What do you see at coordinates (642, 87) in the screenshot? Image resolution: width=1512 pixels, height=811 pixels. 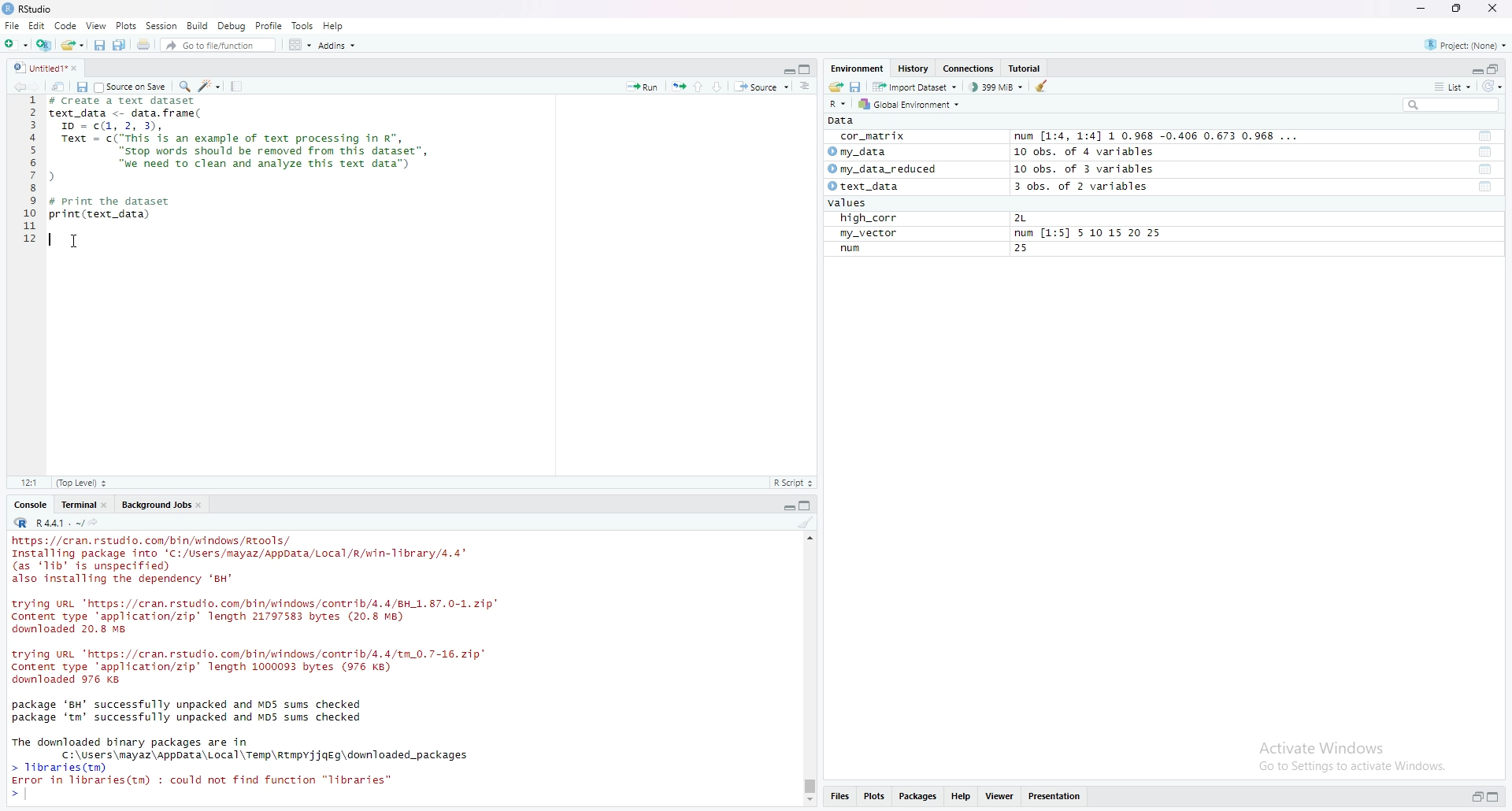 I see `run` at bounding box center [642, 87].